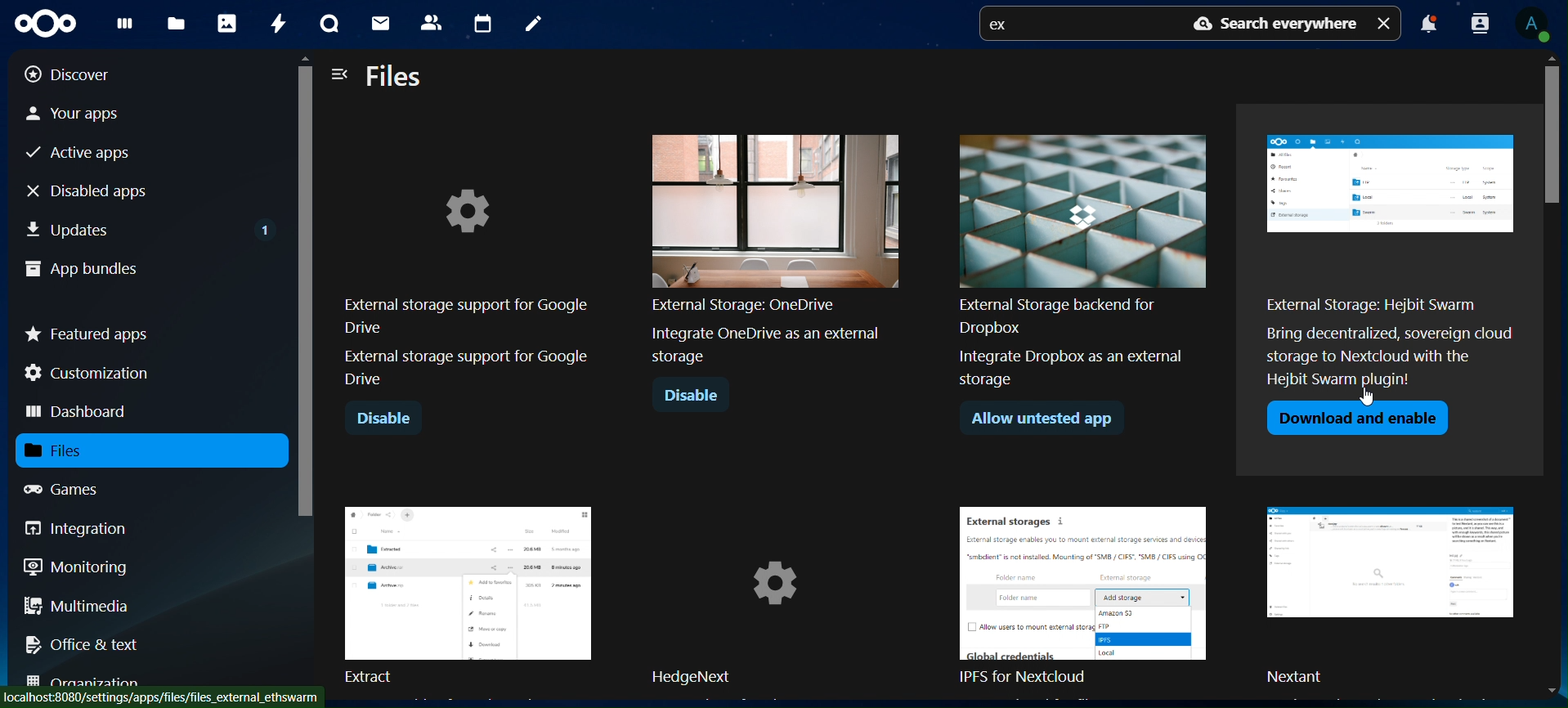 This screenshot has height=708, width=1568. Describe the element at coordinates (482, 21) in the screenshot. I see `calendar` at that location.